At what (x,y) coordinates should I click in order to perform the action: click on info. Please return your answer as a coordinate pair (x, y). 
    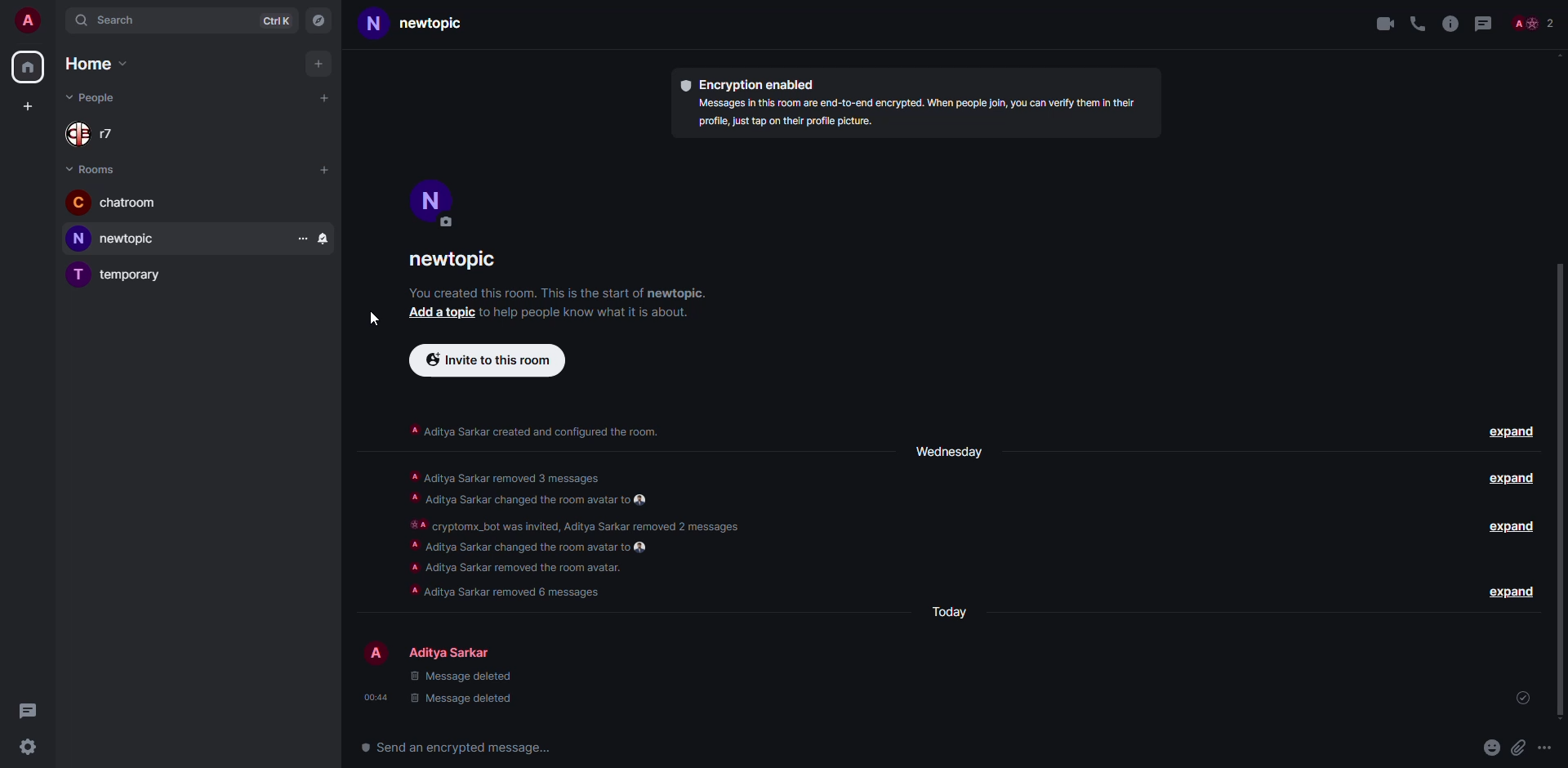
    Looking at the image, I should click on (559, 292).